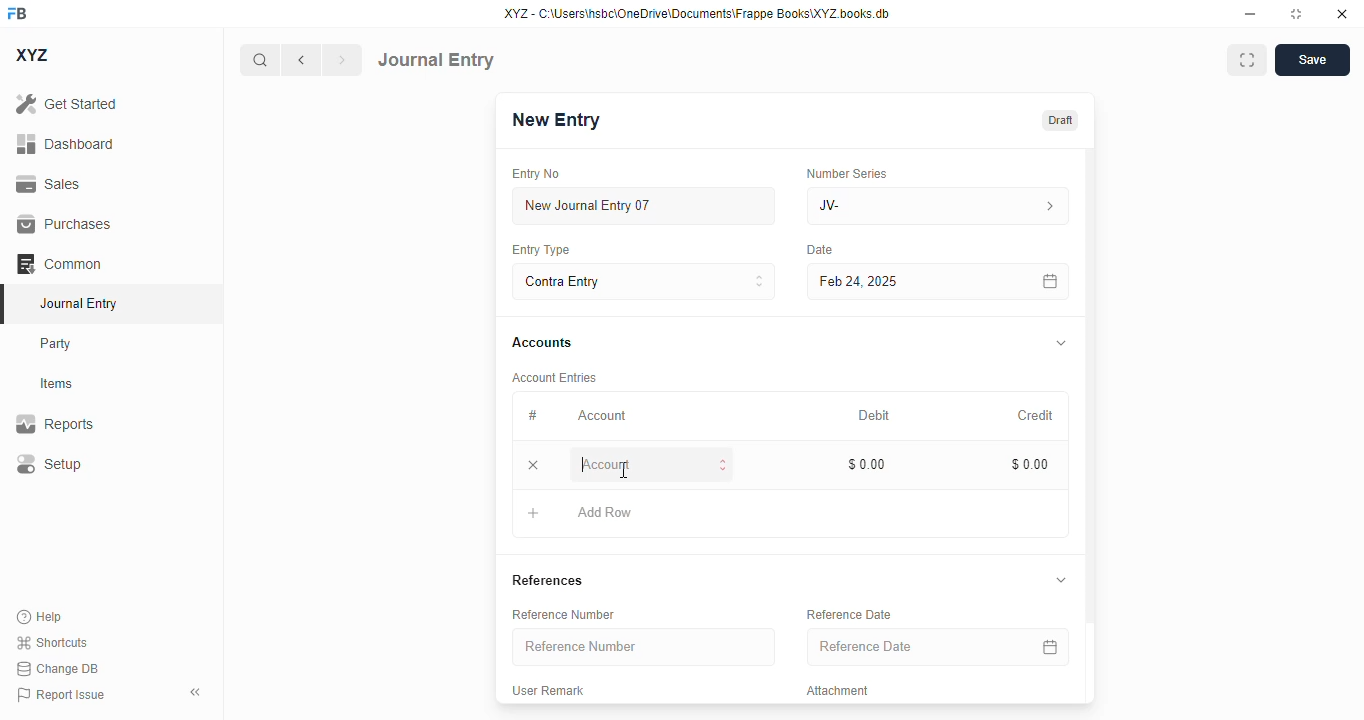 The height and width of the screenshot is (720, 1364). Describe the element at coordinates (542, 250) in the screenshot. I see `entry type` at that location.